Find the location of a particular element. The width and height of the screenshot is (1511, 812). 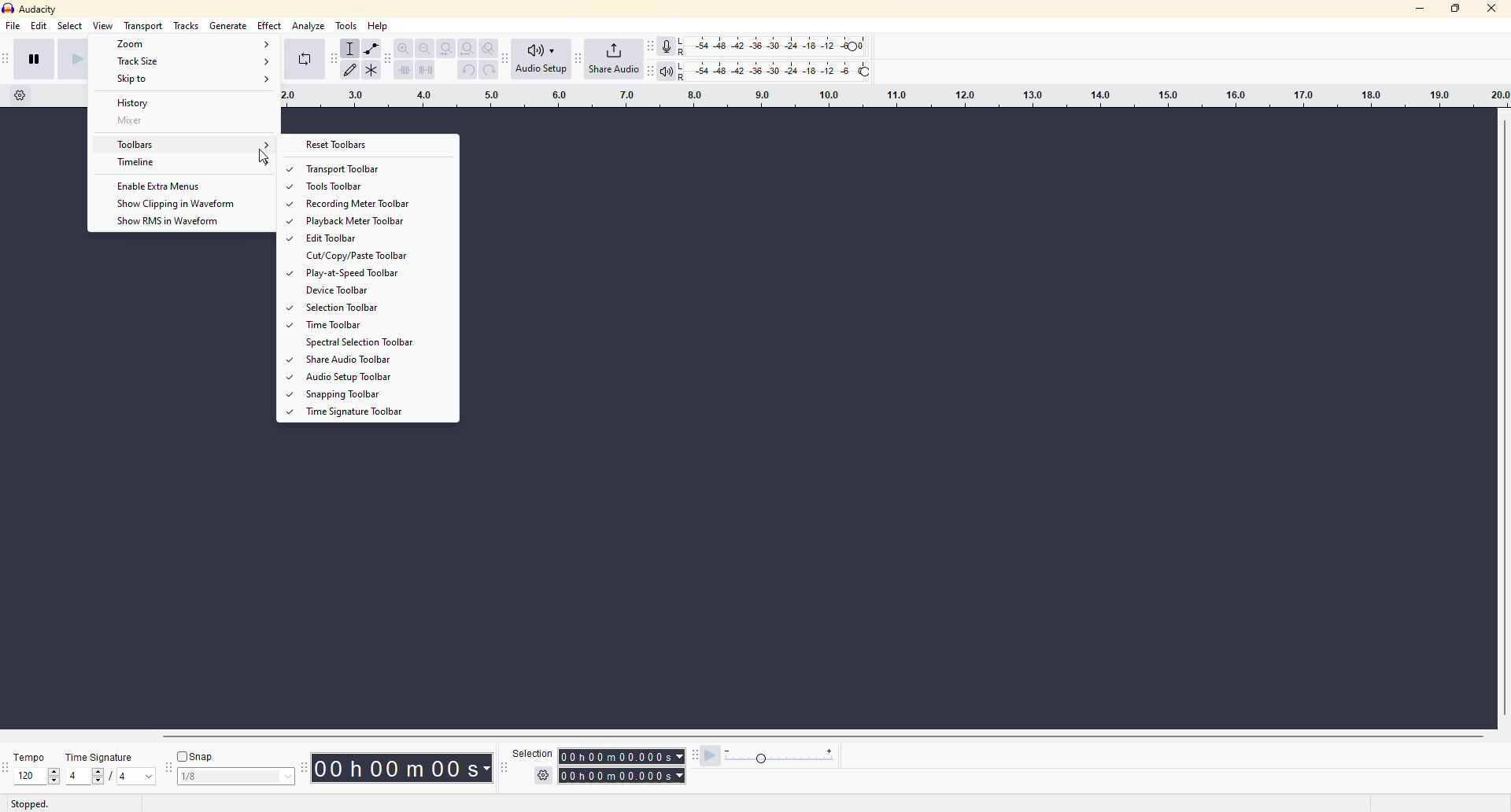

audio setup is located at coordinates (542, 60).